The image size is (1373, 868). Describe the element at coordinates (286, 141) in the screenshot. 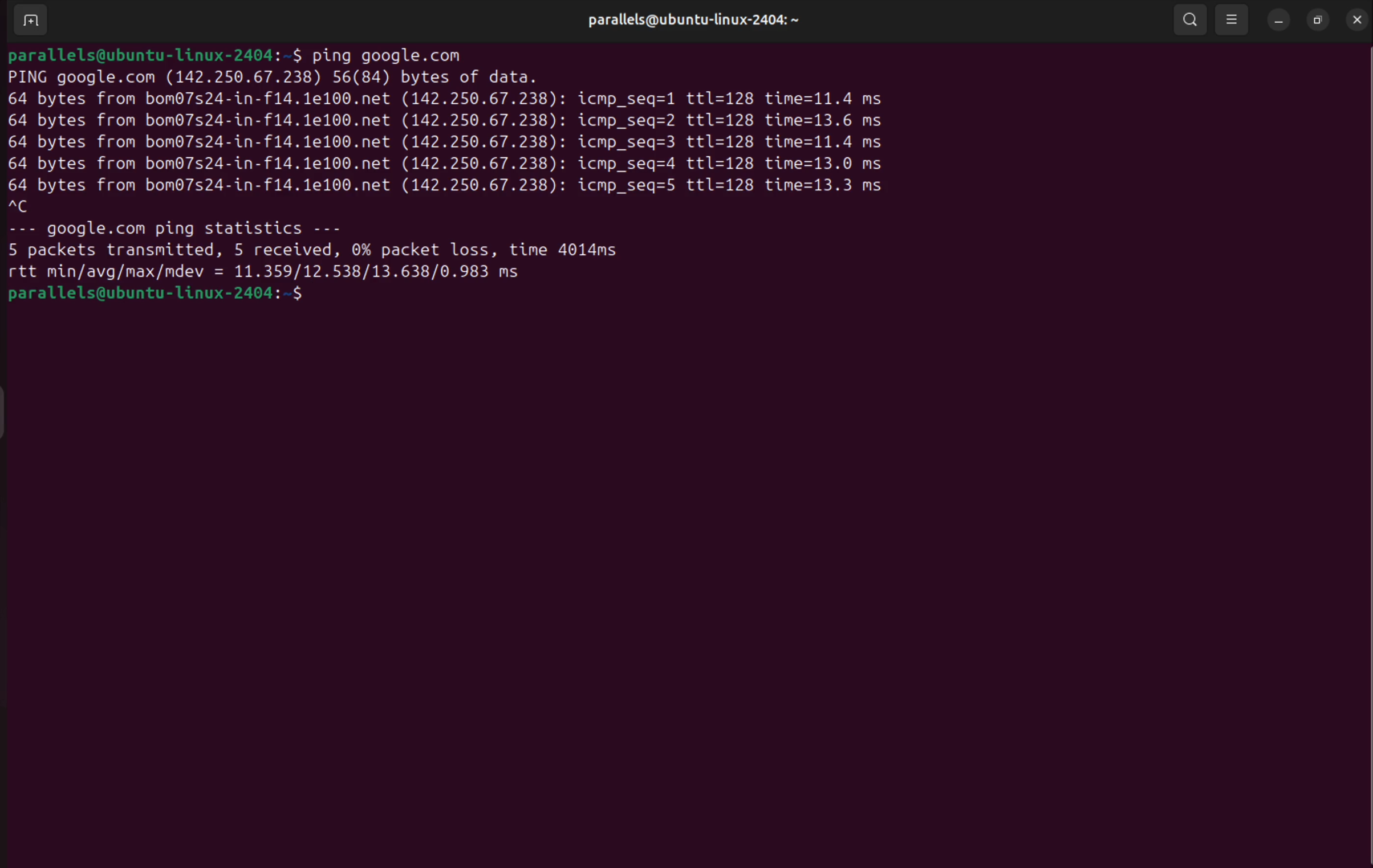

I see `64 bytes from bom poert .net` at that location.